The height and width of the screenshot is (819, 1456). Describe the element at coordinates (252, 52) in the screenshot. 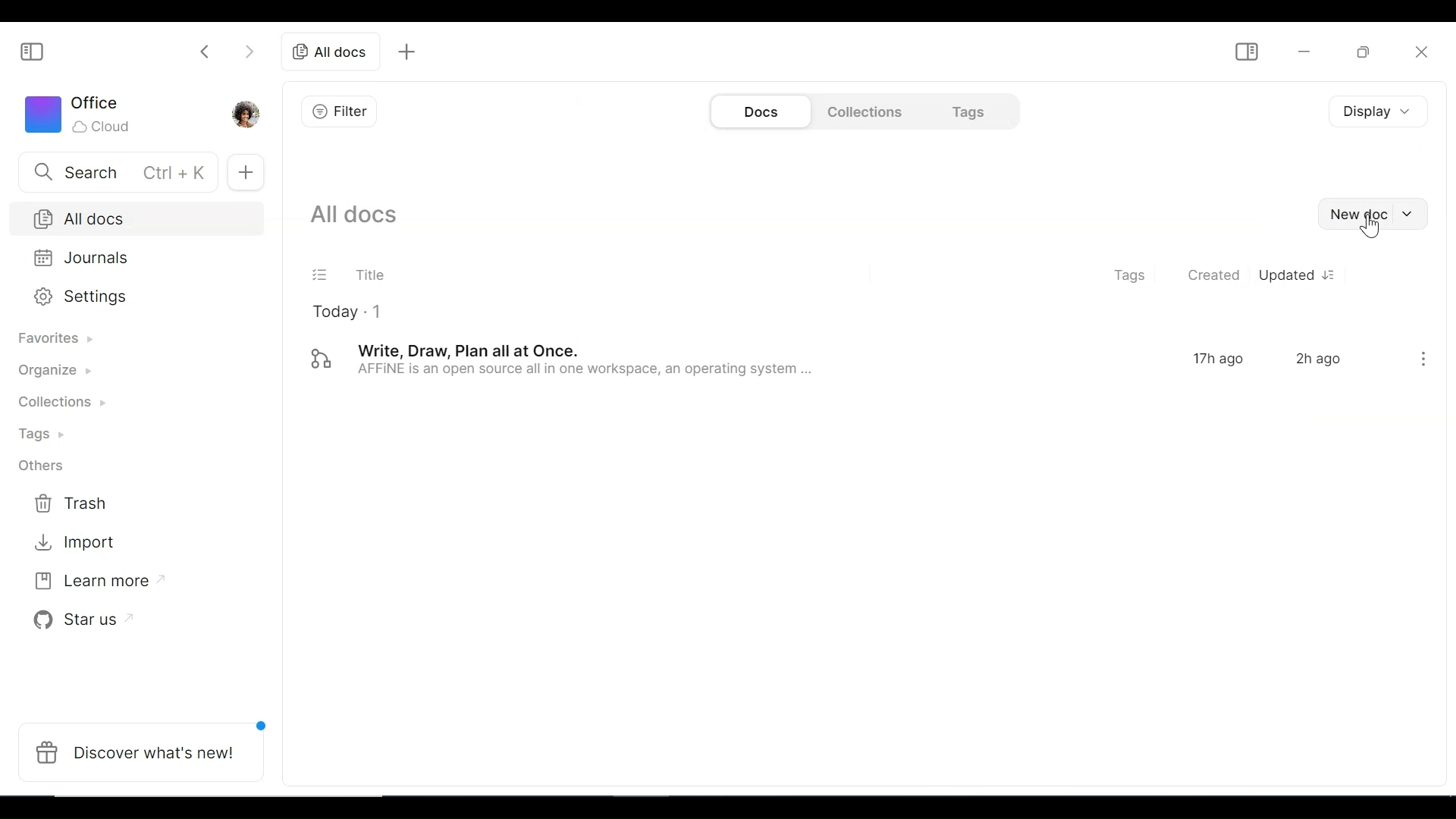

I see `Click to go forward` at that location.